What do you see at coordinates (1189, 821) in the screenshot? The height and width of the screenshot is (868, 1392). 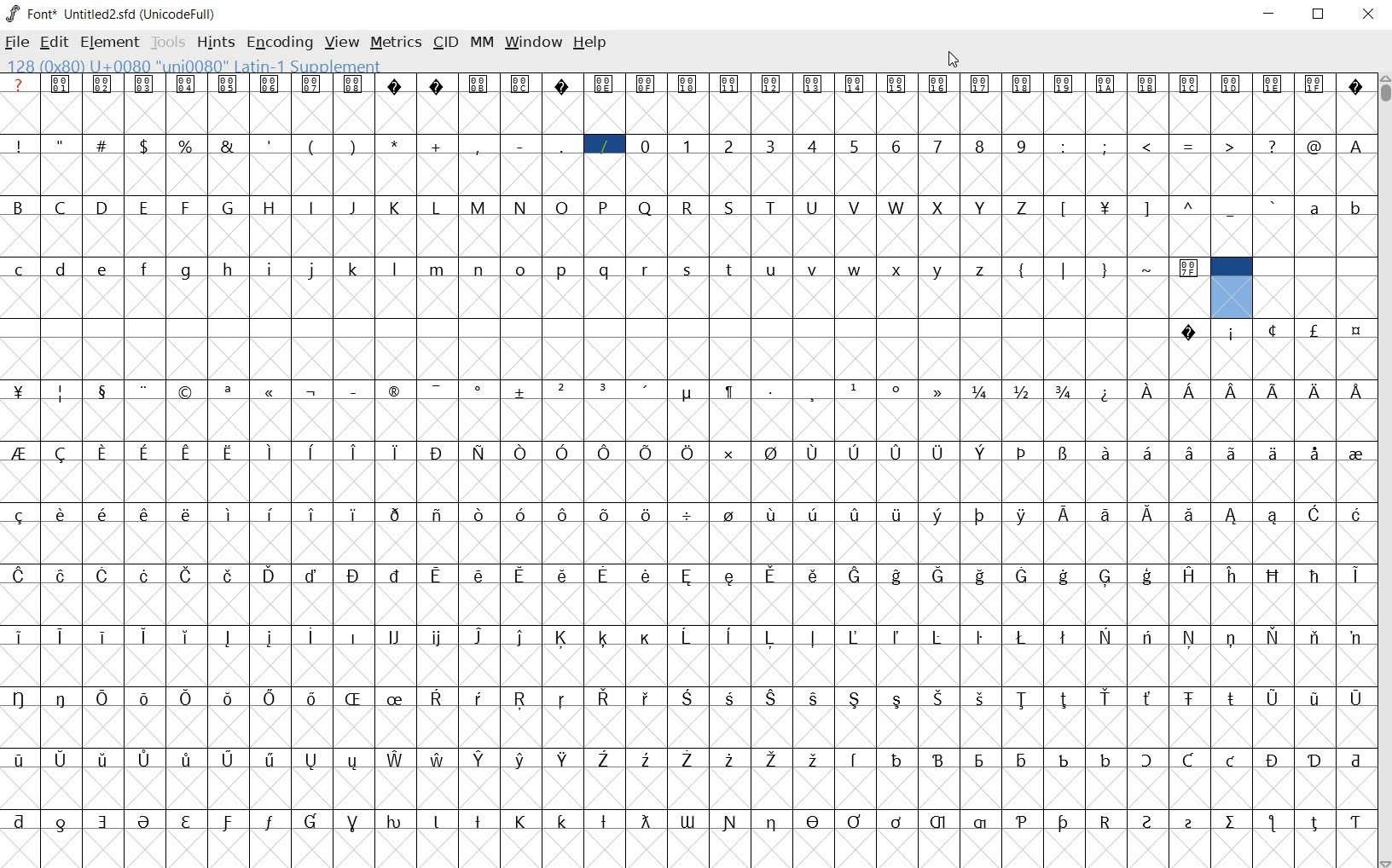 I see `Symbol` at bounding box center [1189, 821].